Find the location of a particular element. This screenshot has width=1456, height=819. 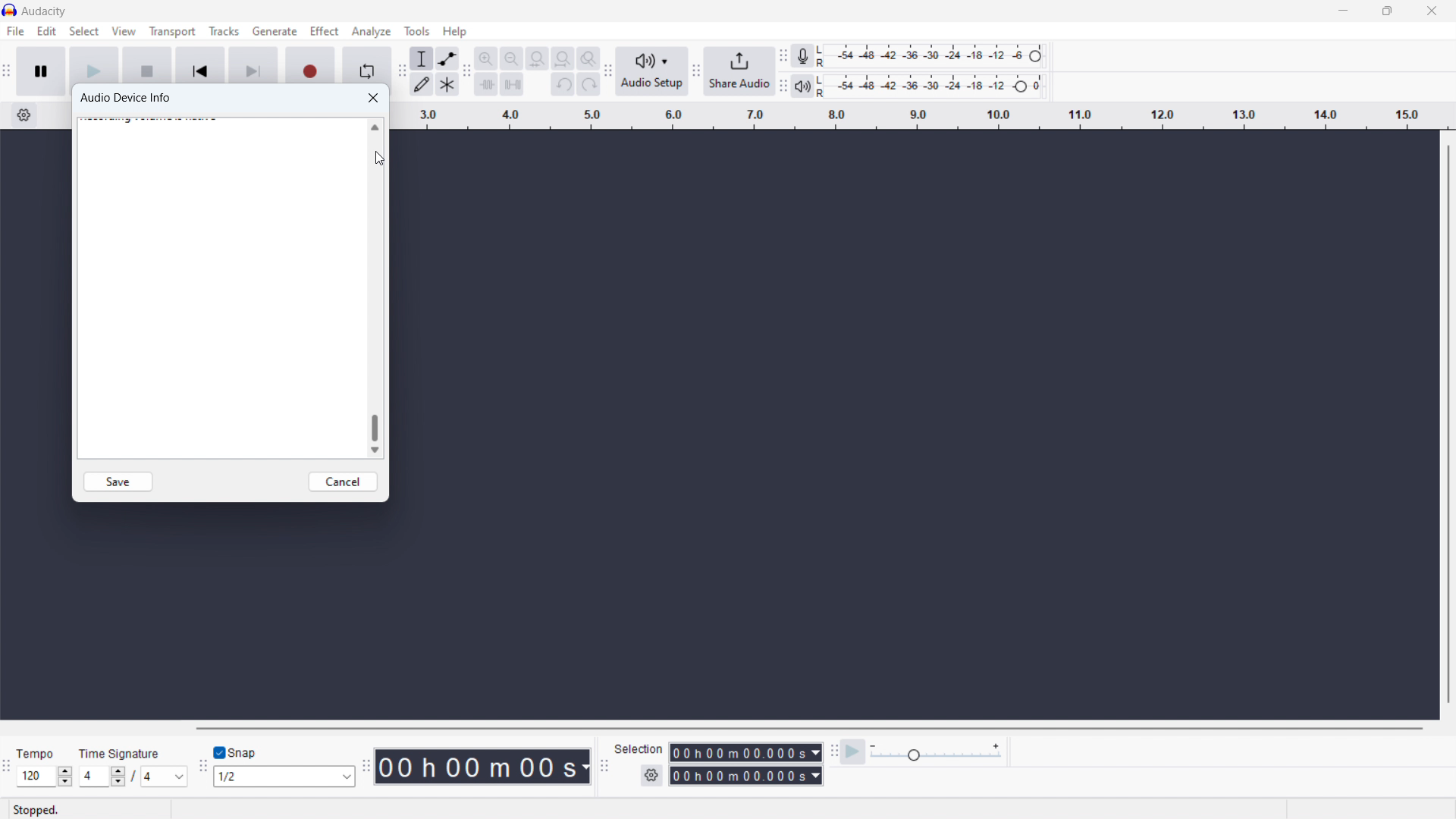

time signature toolbar is located at coordinates (7, 768).